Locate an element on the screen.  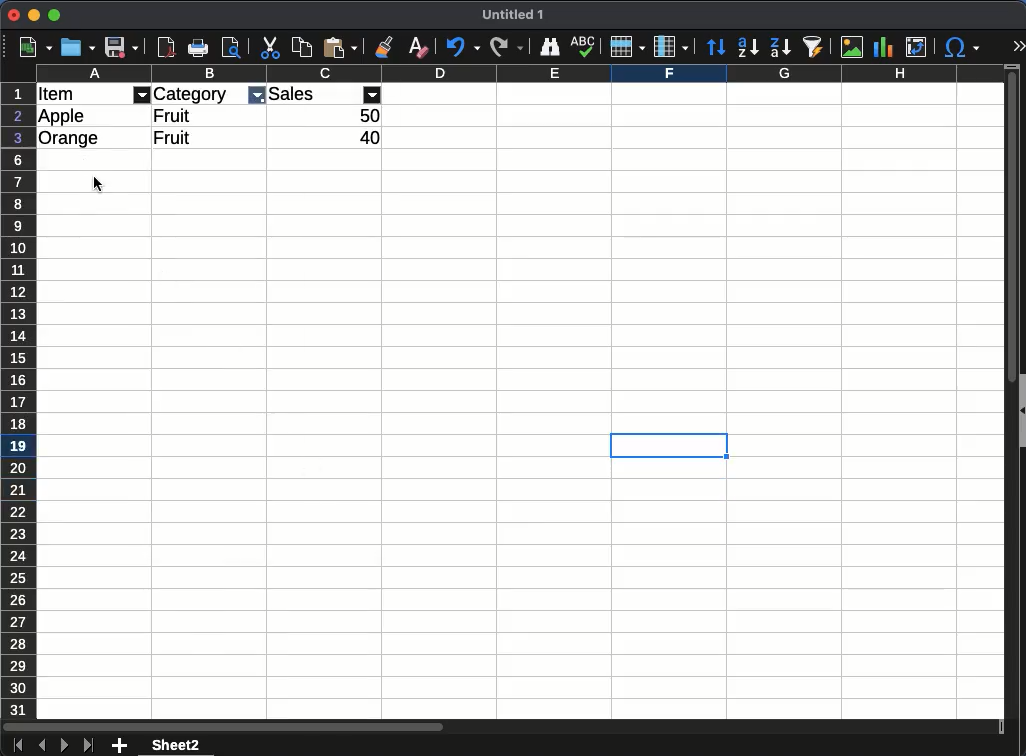
paste is located at coordinates (340, 48).